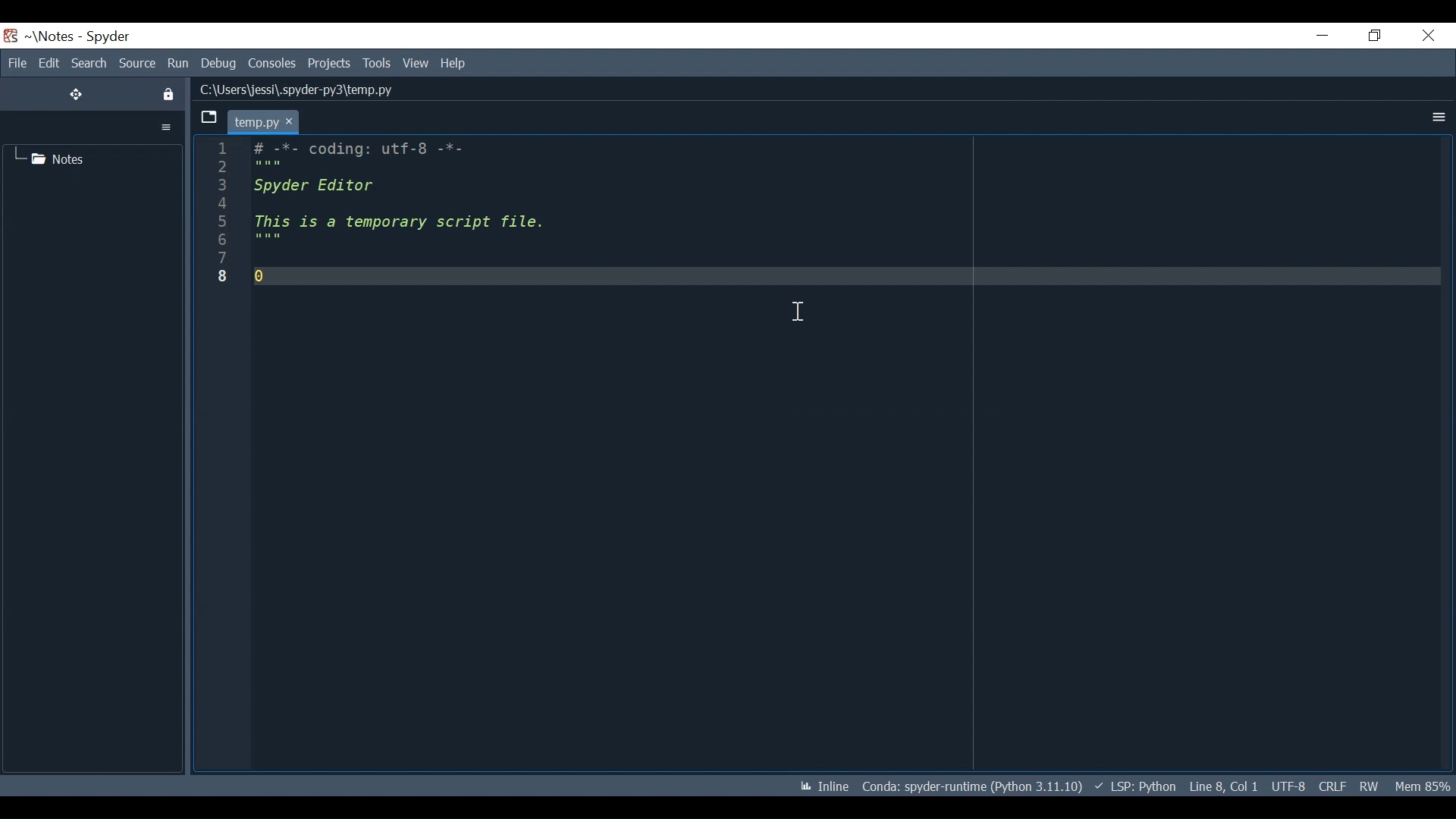  I want to click on # -*- coding: utf-8 -*-Spyder EditorThis is a temporary script file—————, so click(405, 215).